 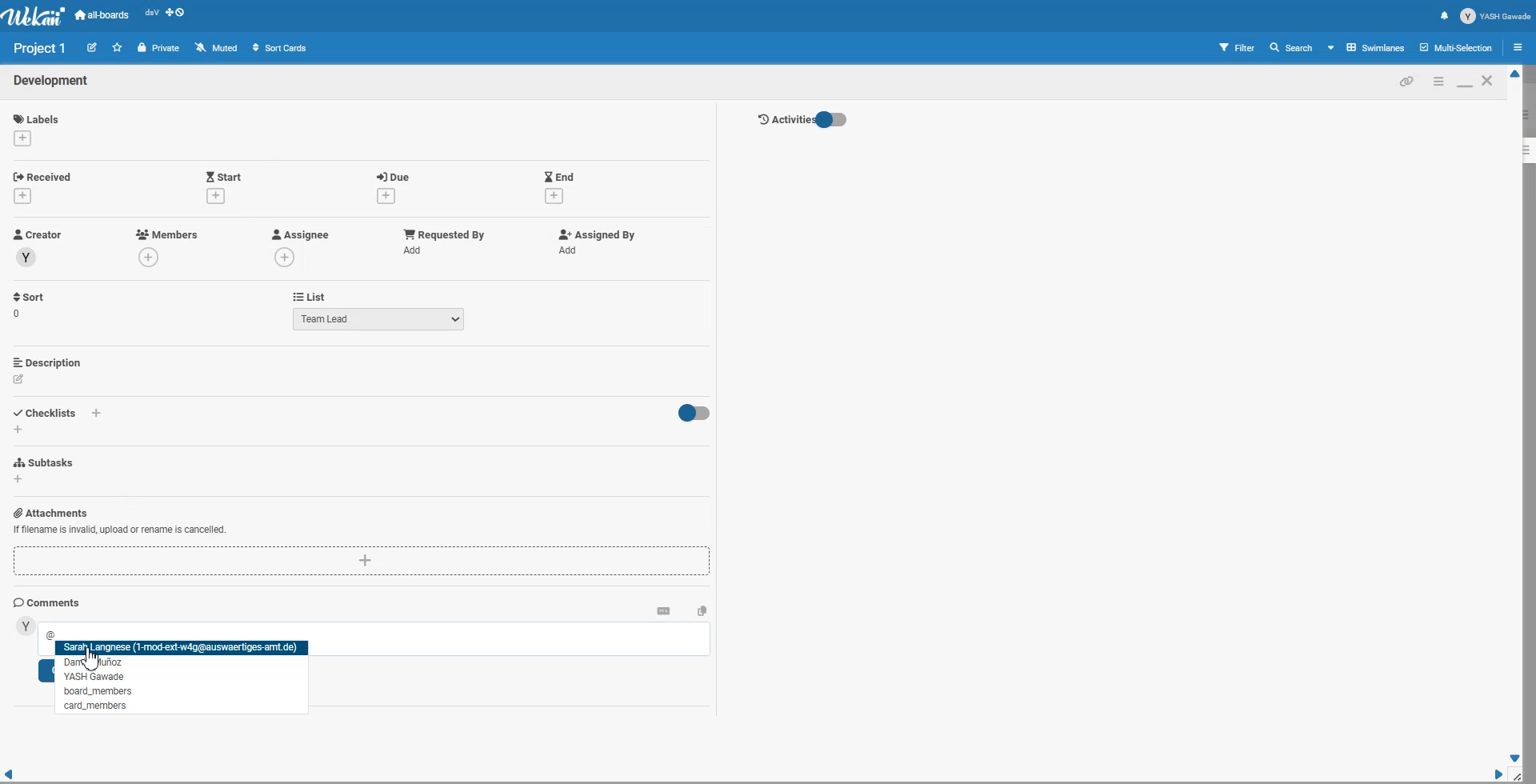 What do you see at coordinates (1238, 47) in the screenshot?
I see `Filter` at bounding box center [1238, 47].